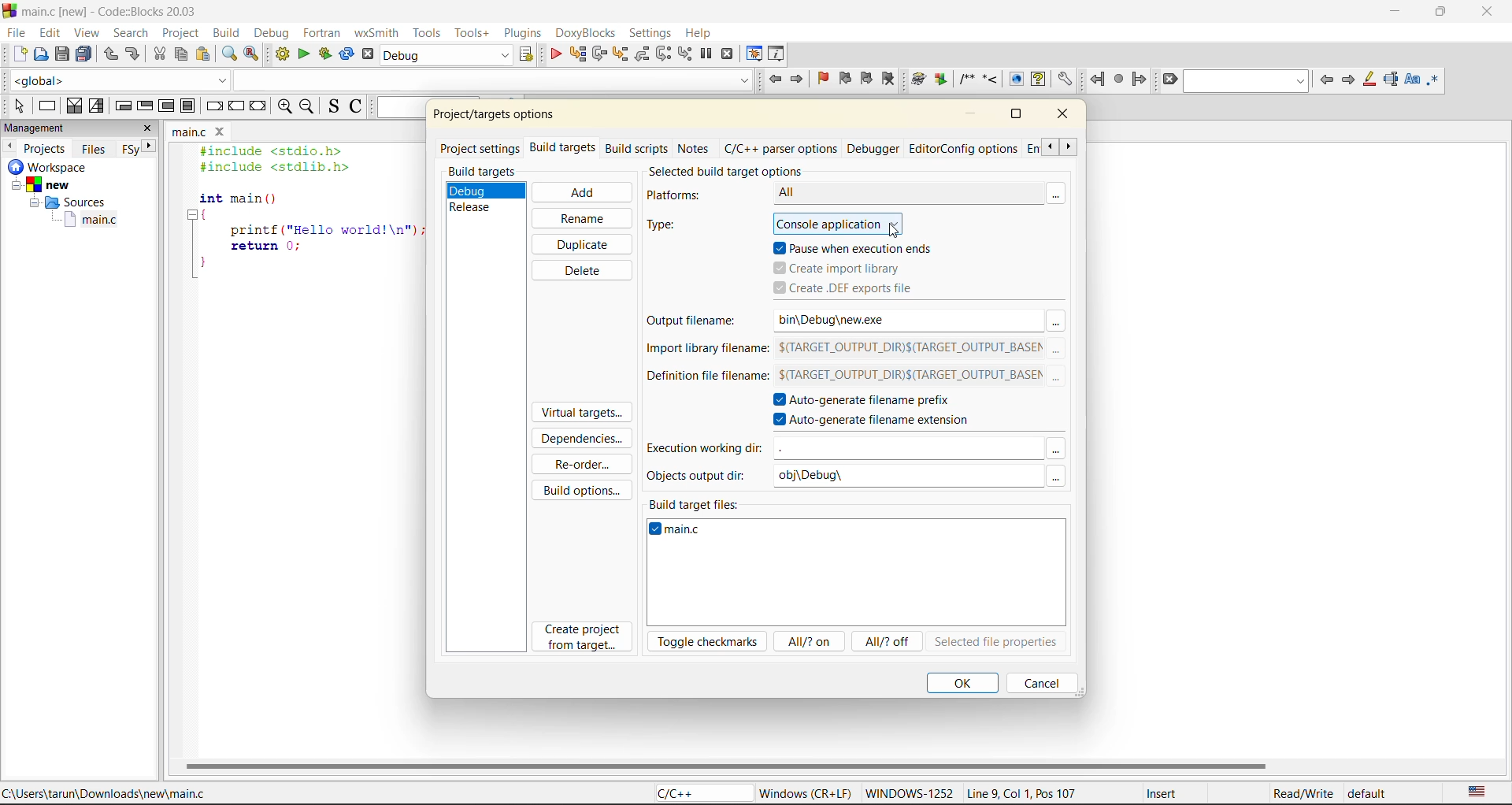  I want to click on toggle checkmarks, so click(708, 642).